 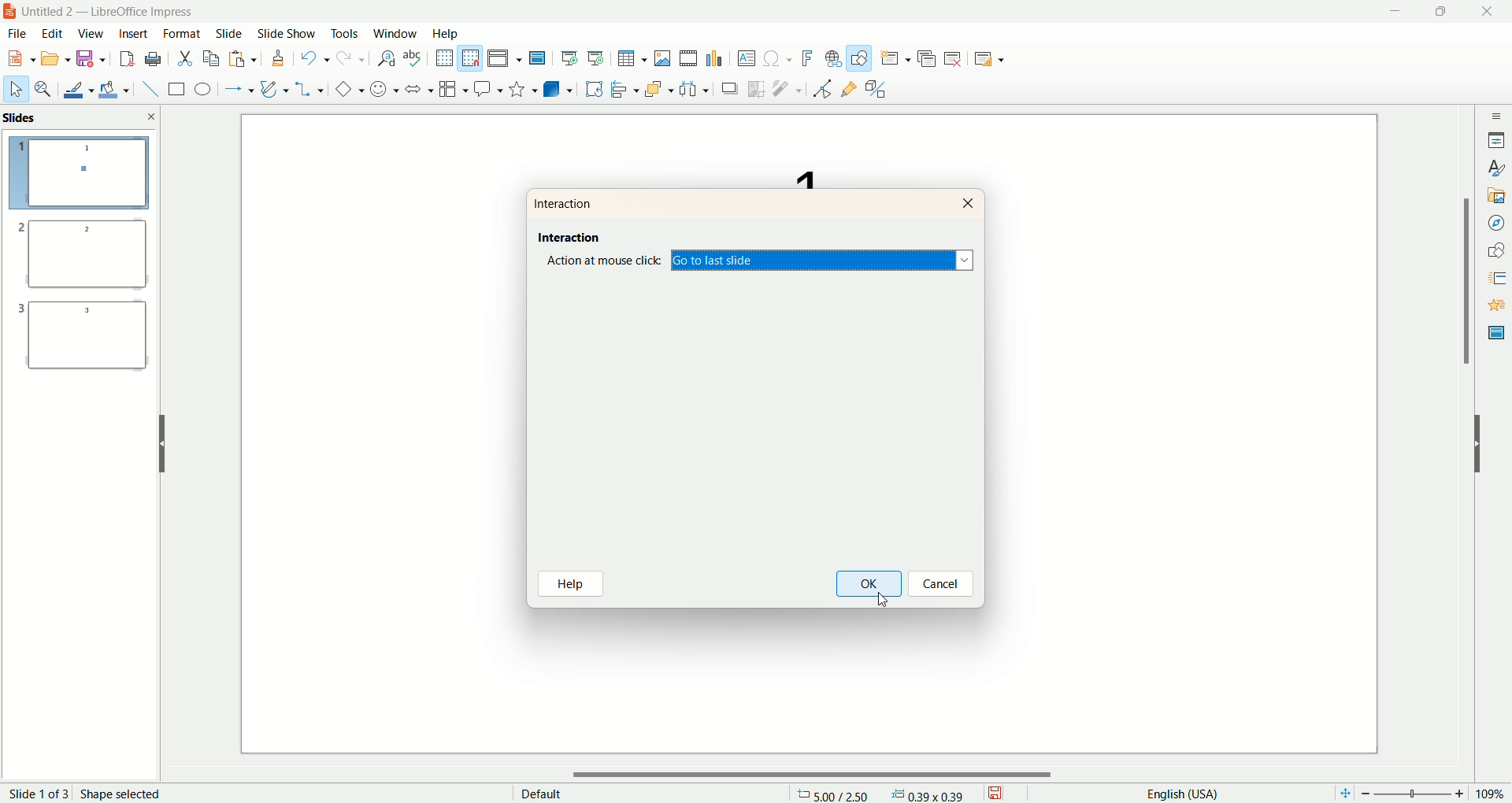 What do you see at coordinates (716, 59) in the screenshot?
I see `insert chart` at bounding box center [716, 59].